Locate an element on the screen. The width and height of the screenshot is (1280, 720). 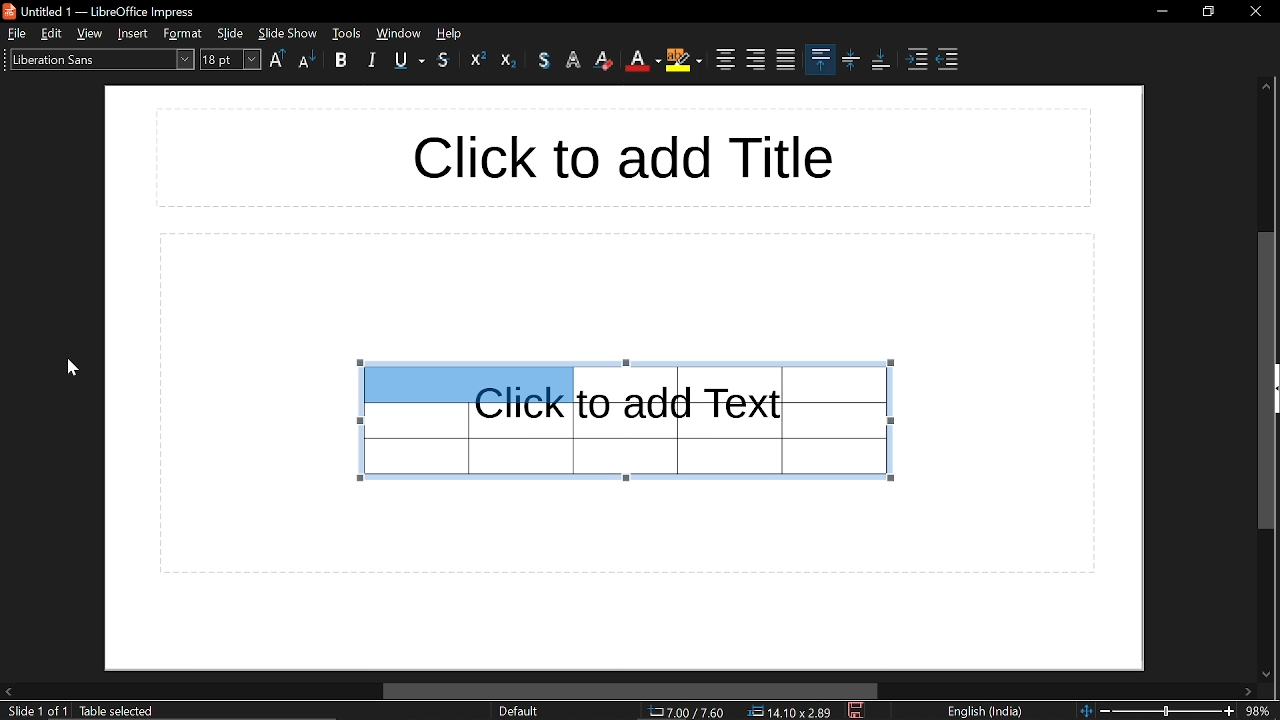
subscript is located at coordinates (509, 59).